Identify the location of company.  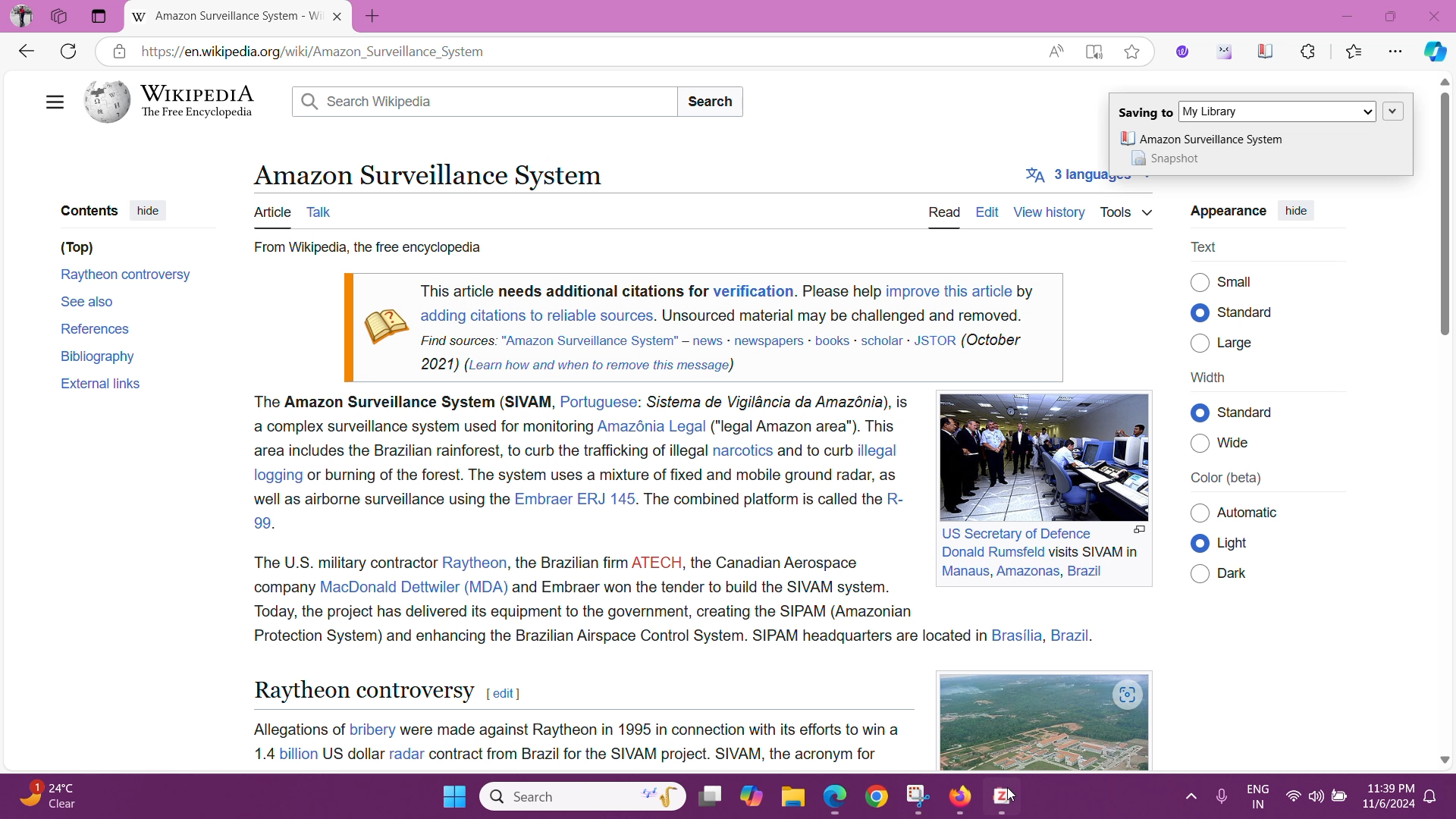
(281, 585).